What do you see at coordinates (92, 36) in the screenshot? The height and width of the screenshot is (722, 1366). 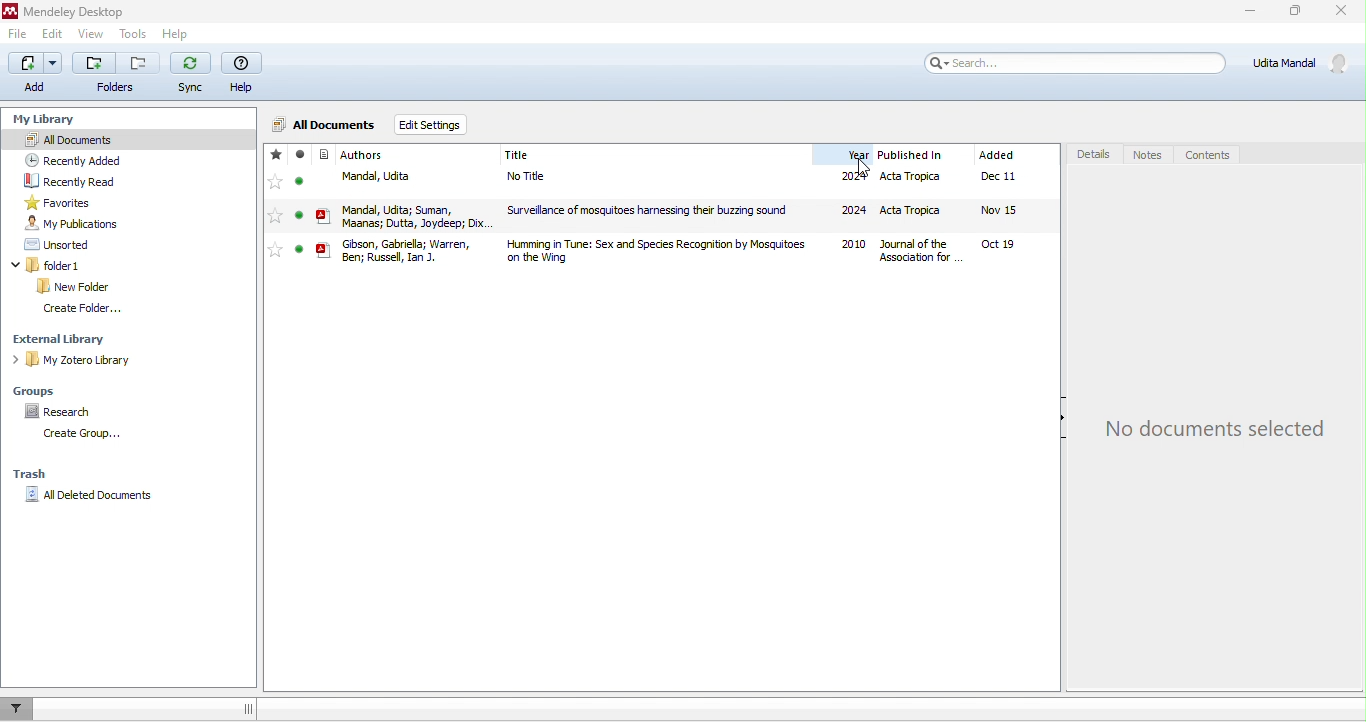 I see `view` at bounding box center [92, 36].